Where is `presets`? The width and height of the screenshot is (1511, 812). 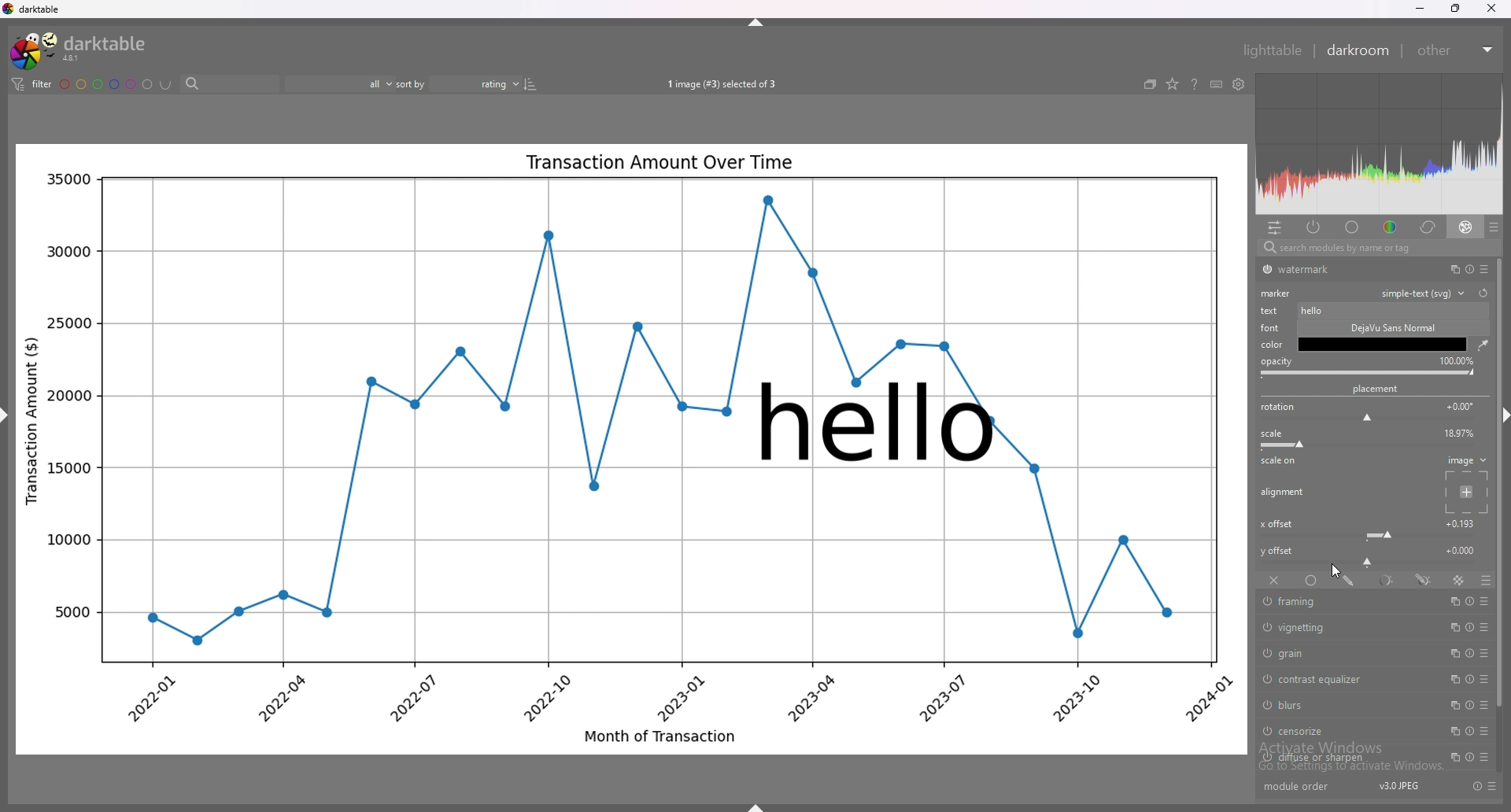 presets is located at coordinates (1487, 268).